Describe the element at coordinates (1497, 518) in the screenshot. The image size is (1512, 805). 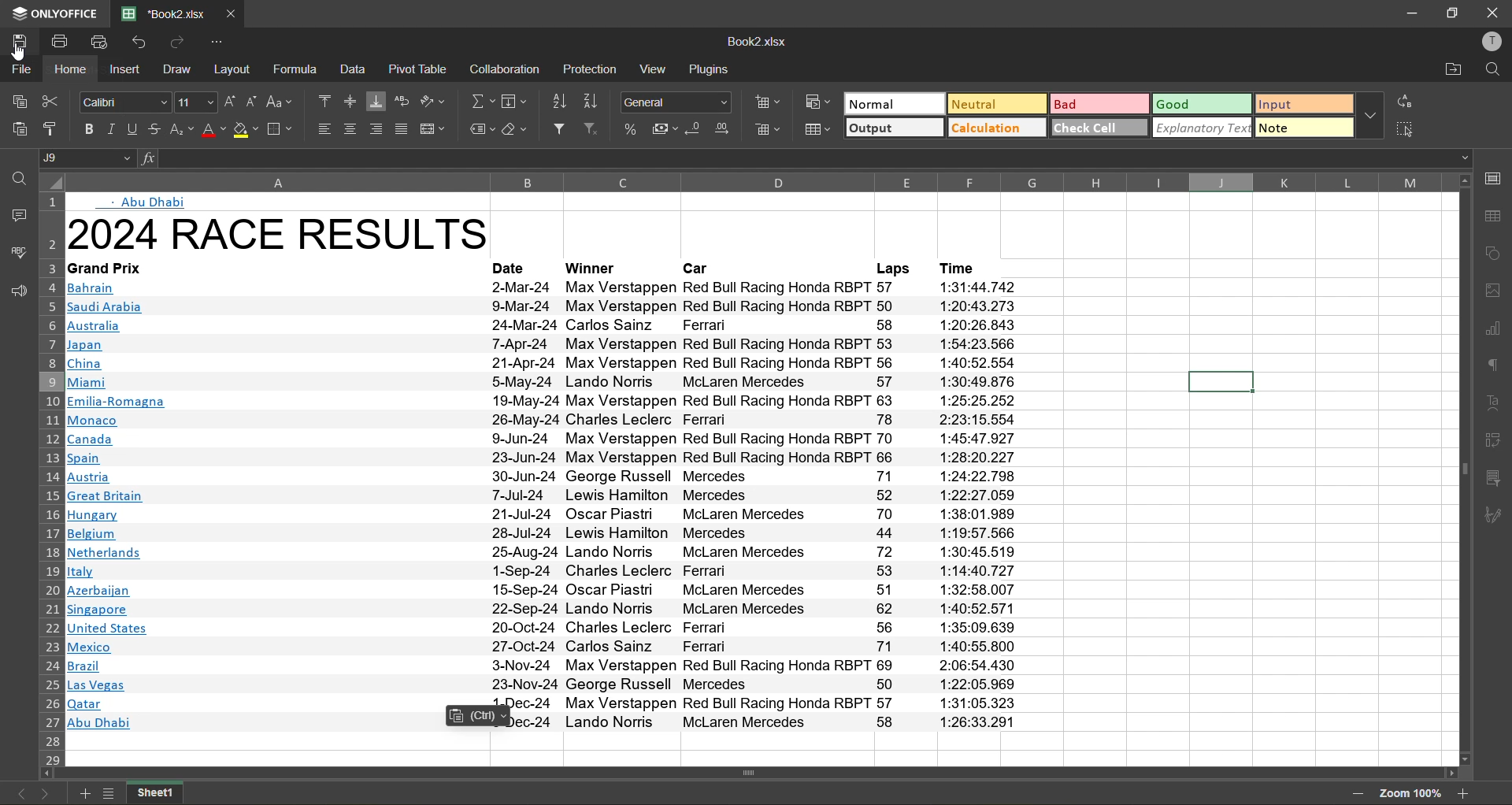
I see `signature` at that location.